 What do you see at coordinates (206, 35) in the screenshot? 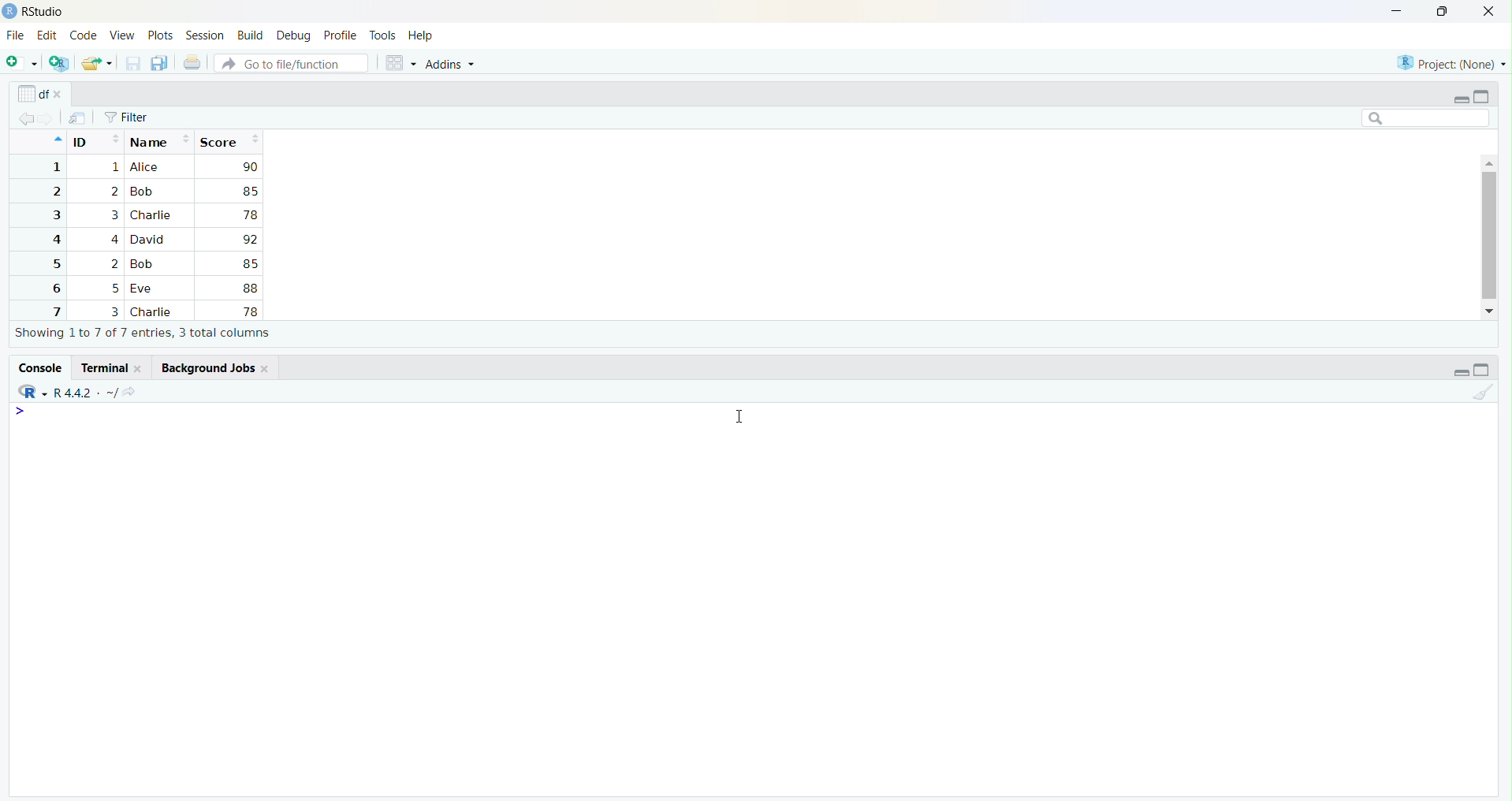
I see `Session` at bounding box center [206, 35].